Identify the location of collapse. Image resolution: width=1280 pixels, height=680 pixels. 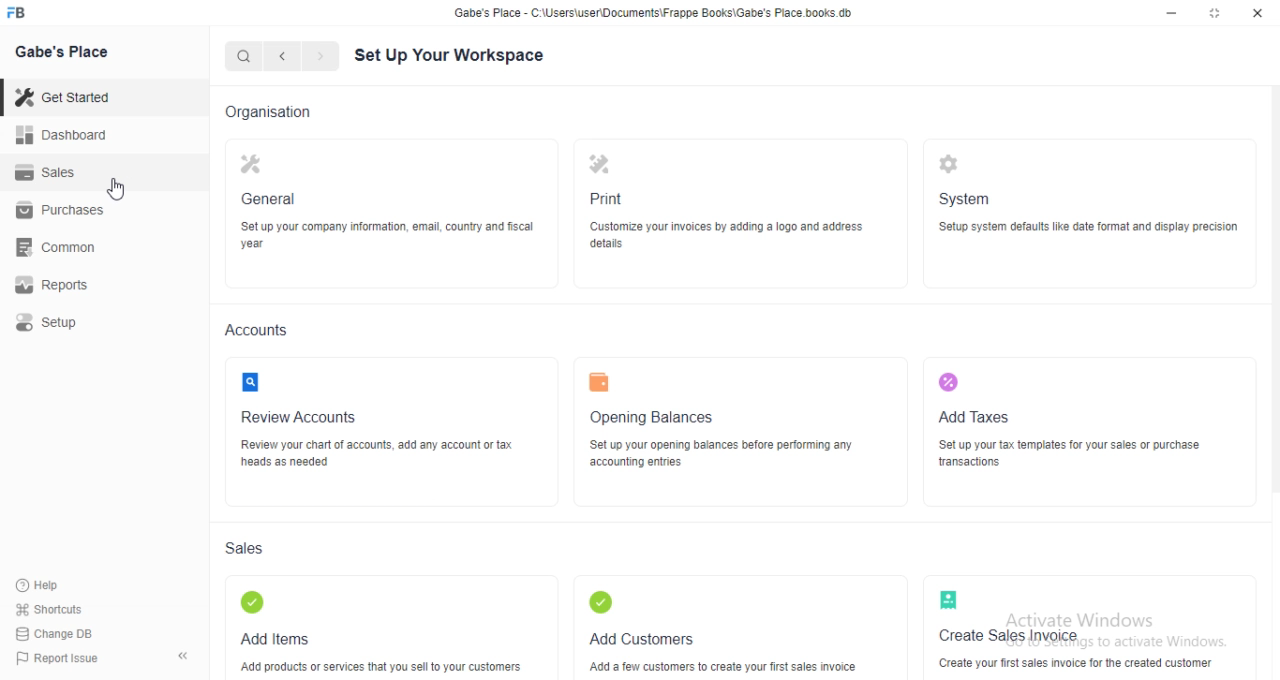
(181, 653).